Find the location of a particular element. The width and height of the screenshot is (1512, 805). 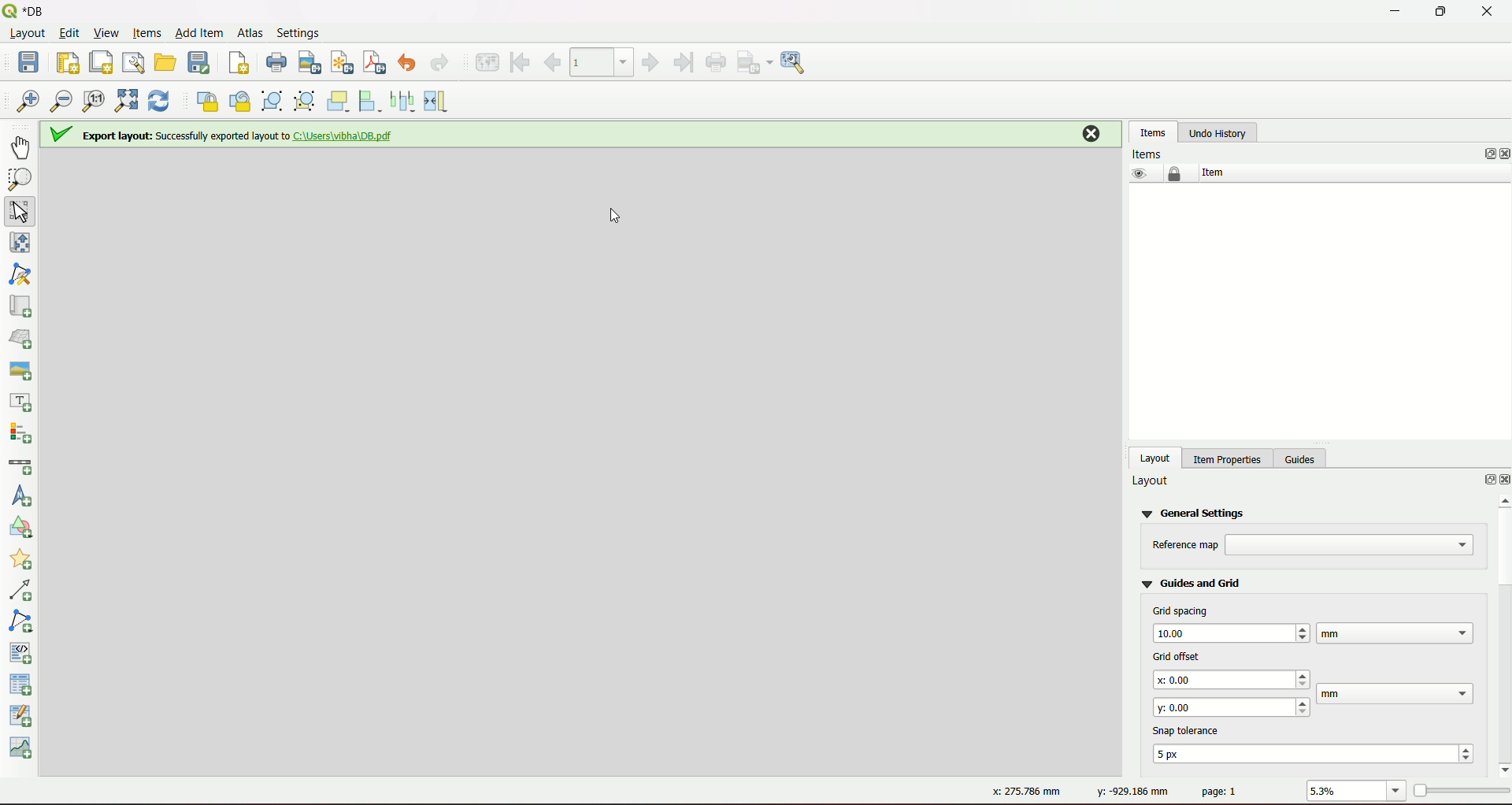

lock is located at coordinates (1175, 174).